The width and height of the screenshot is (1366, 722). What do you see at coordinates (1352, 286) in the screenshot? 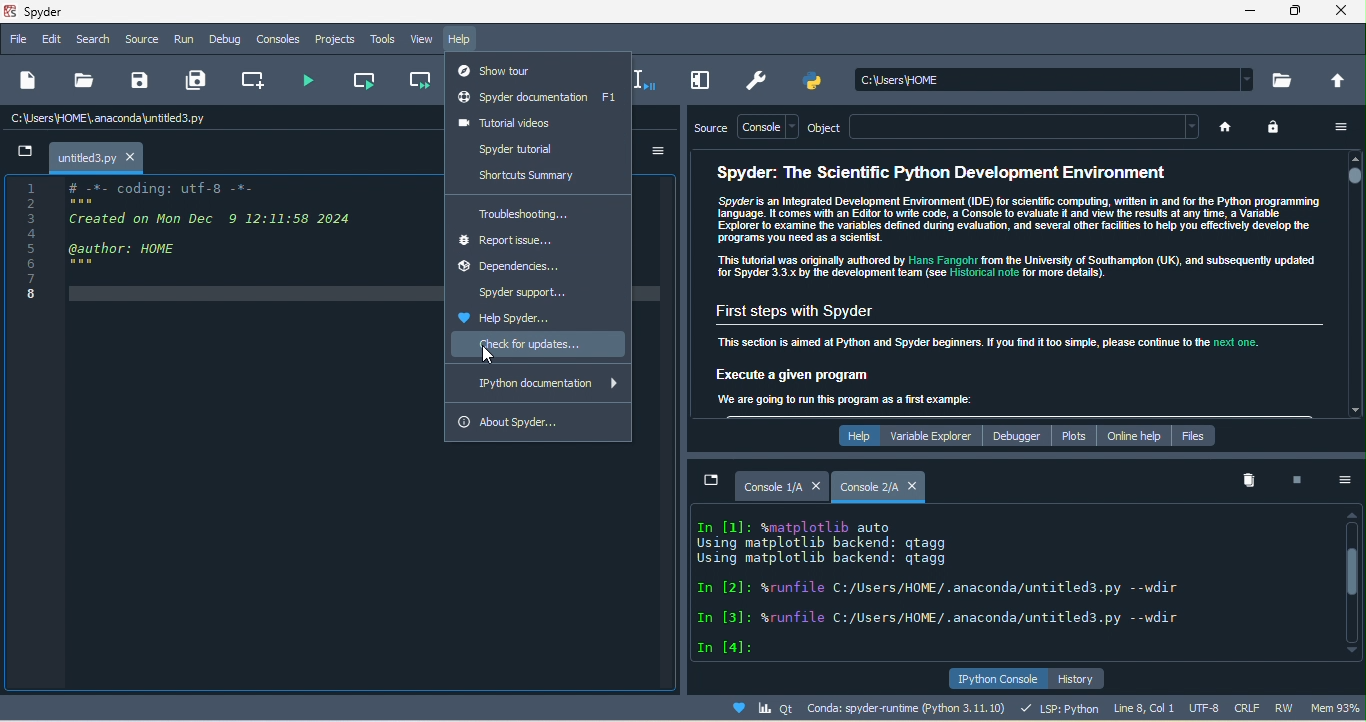
I see `vertical scroll bar` at bounding box center [1352, 286].